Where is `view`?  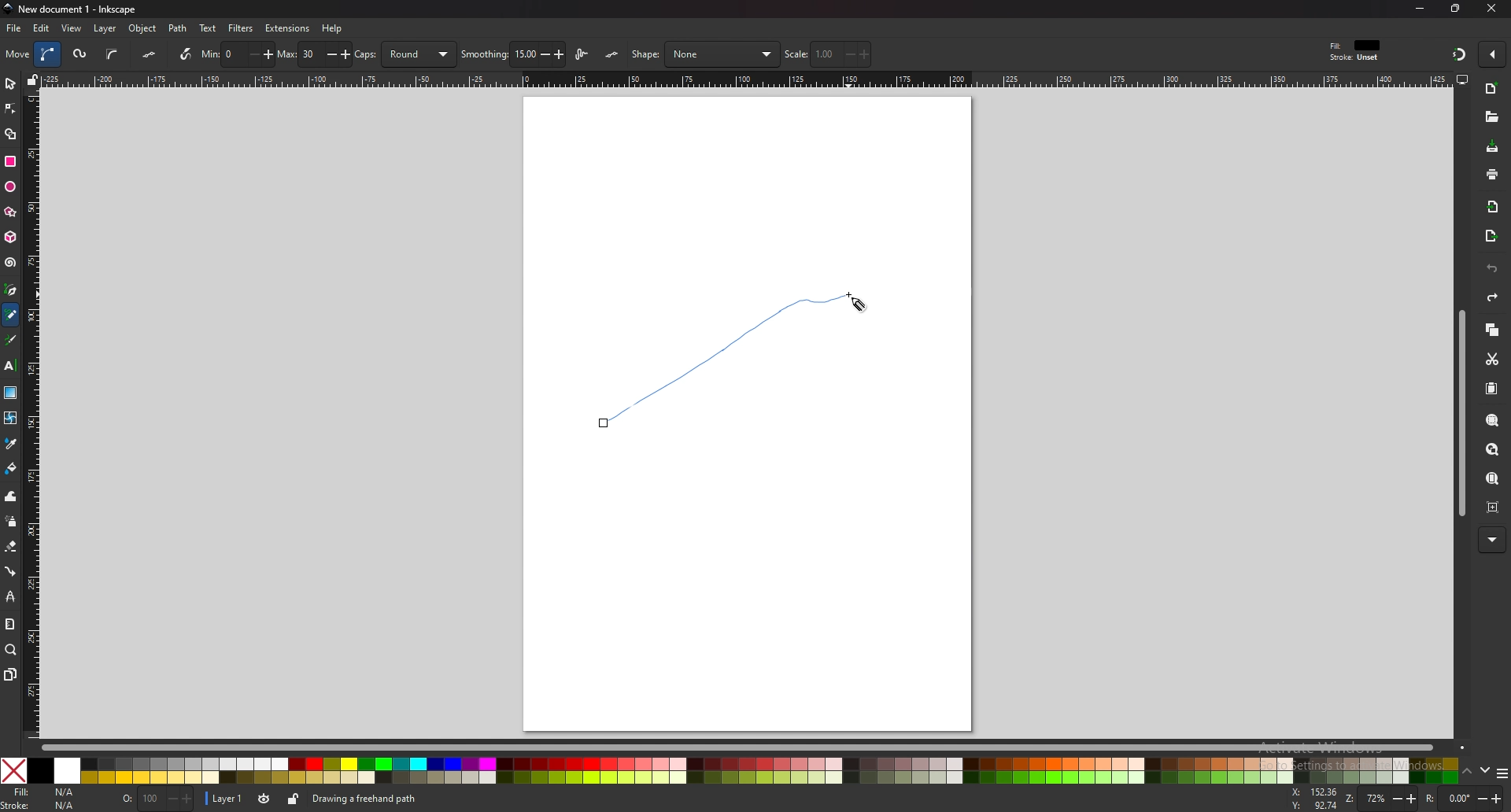 view is located at coordinates (73, 28).